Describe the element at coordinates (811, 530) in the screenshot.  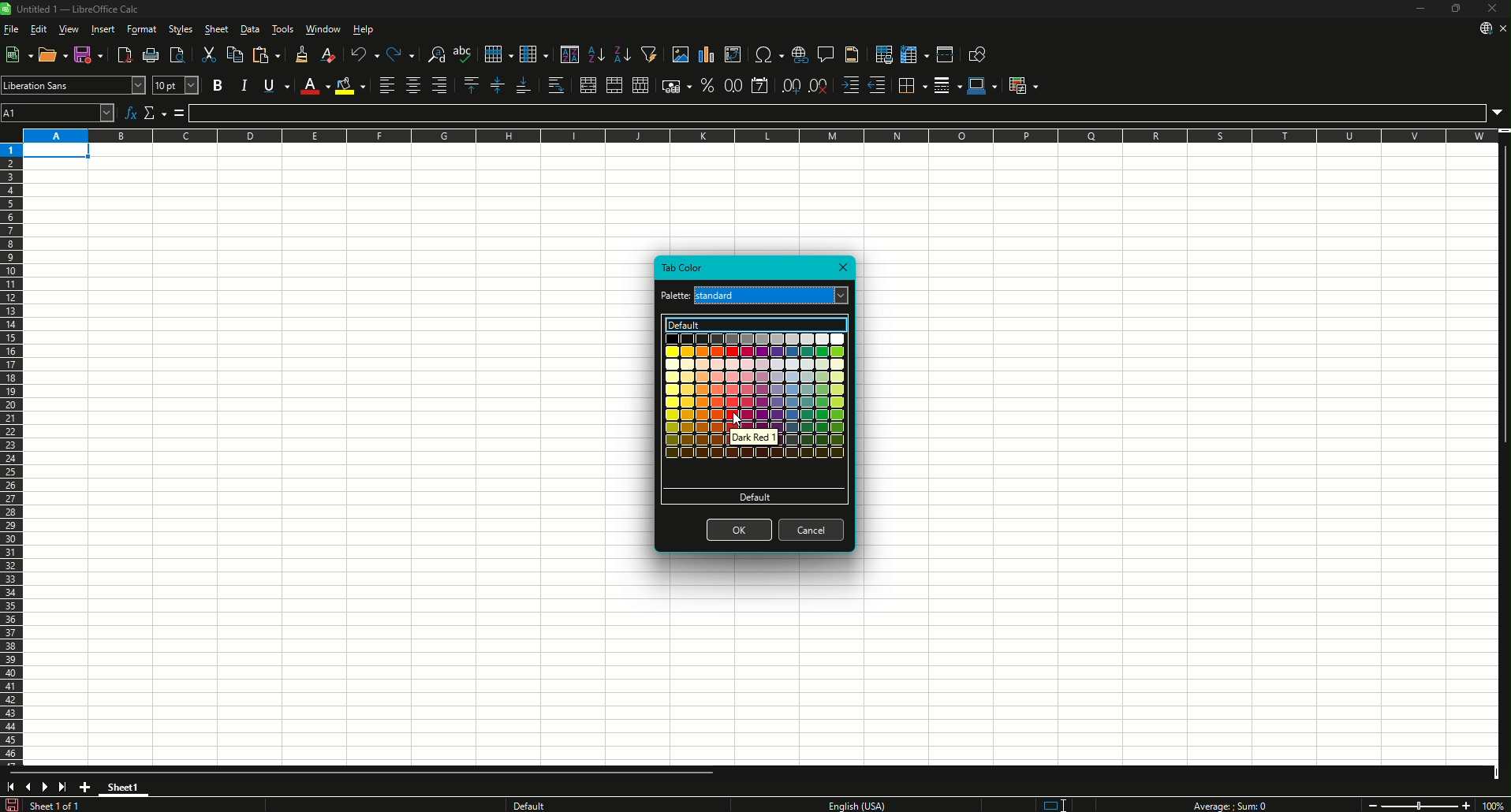
I see `Cancel` at that location.